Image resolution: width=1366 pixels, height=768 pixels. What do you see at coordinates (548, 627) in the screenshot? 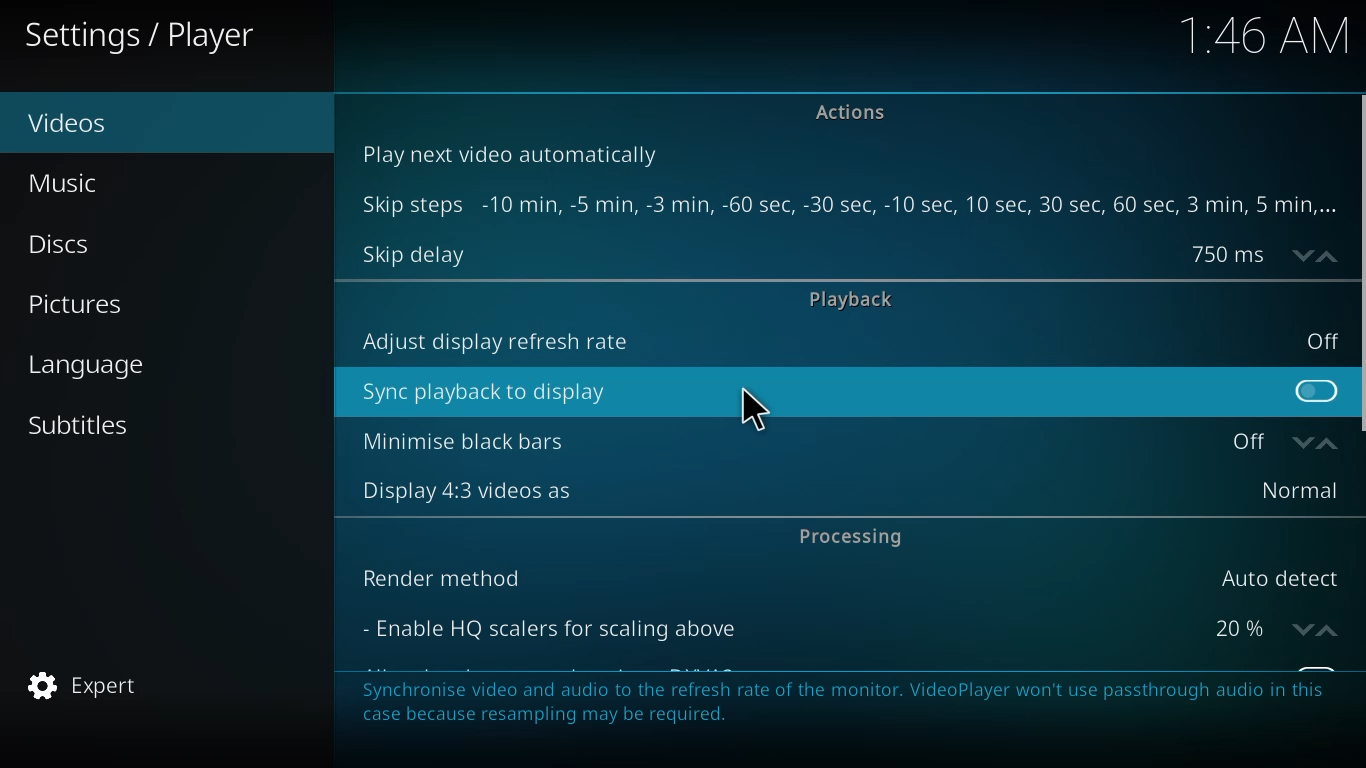
I see `enable hq scalers for scaling above` at bounding box center [548, 627].